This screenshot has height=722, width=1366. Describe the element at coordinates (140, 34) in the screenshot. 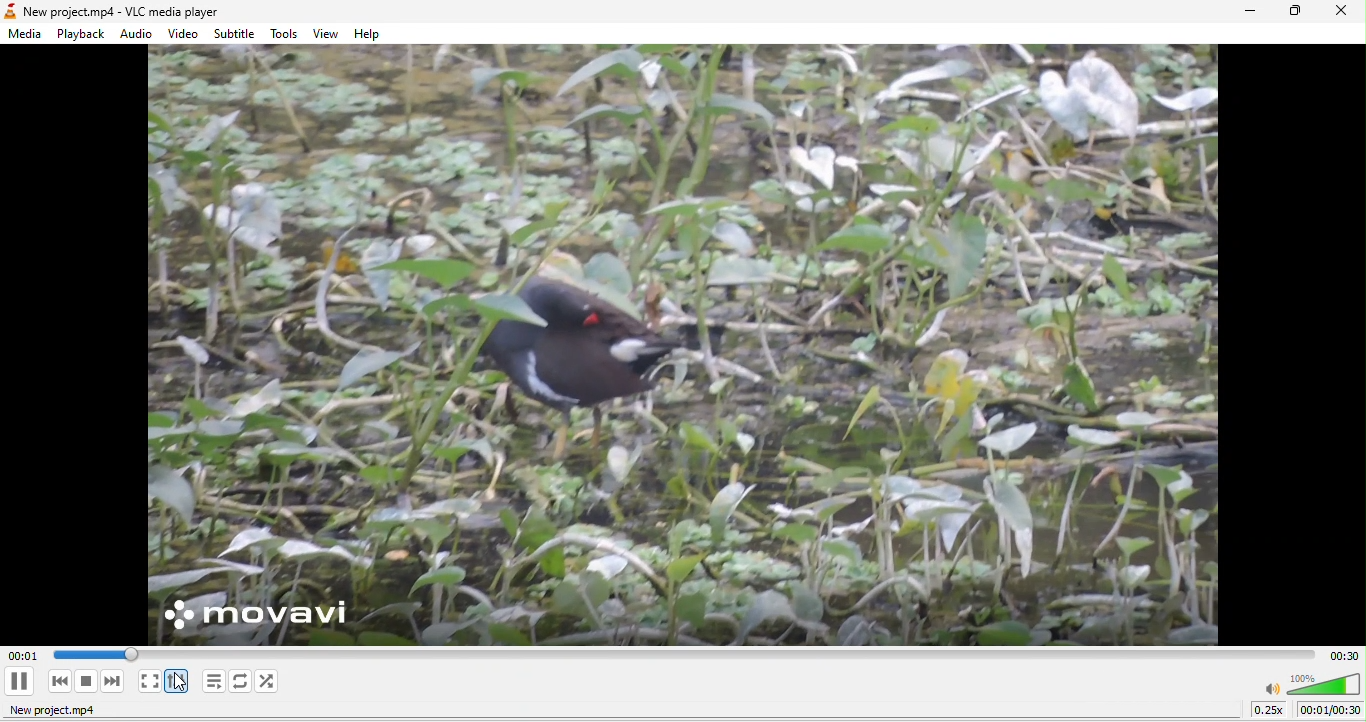

I see `audio` at that location.